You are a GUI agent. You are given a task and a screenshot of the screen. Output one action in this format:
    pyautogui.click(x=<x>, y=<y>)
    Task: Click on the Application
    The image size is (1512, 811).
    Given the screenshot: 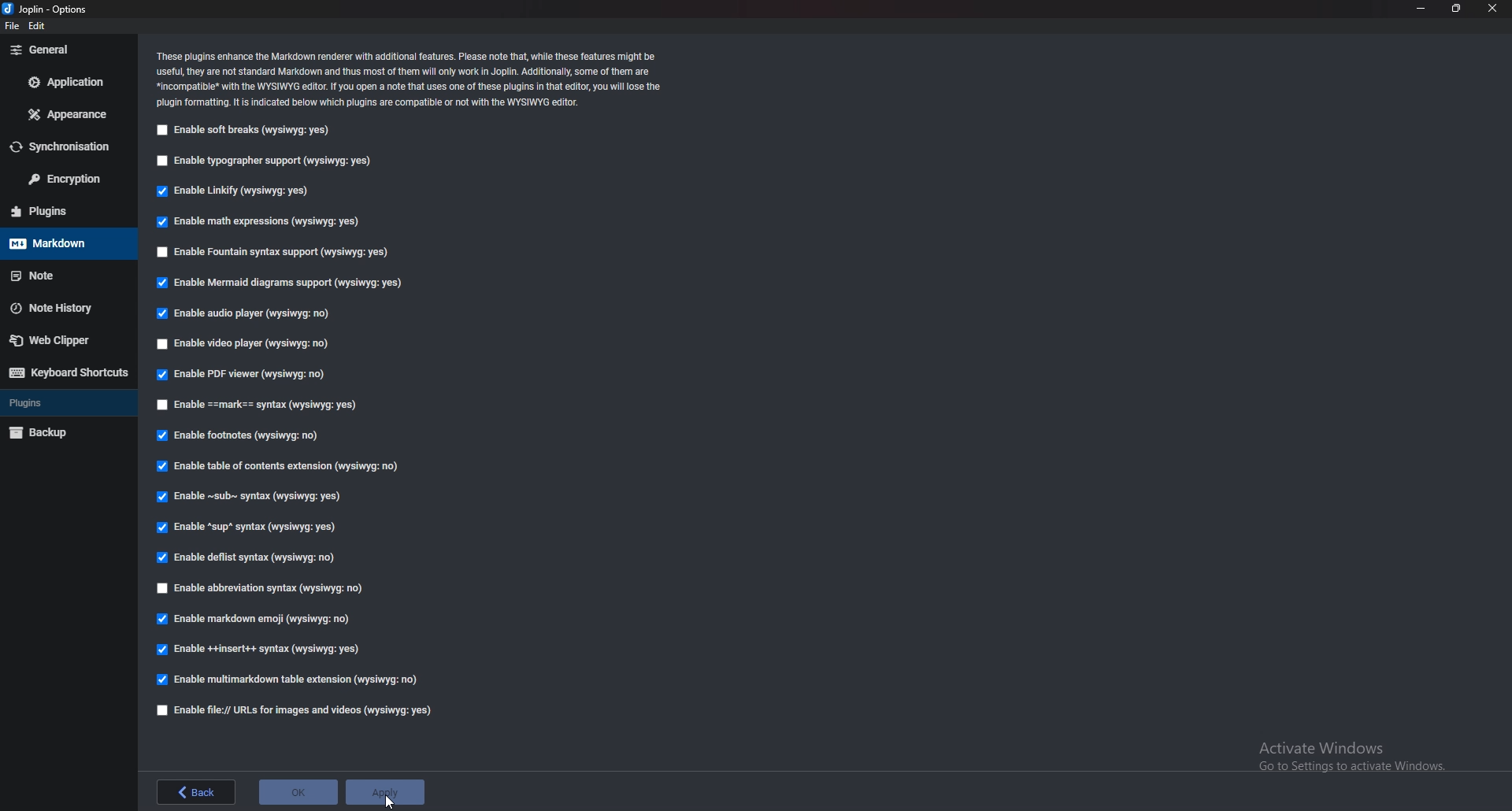 What is the action you would take?
    pyautogui.click(x=65, y=82)
    